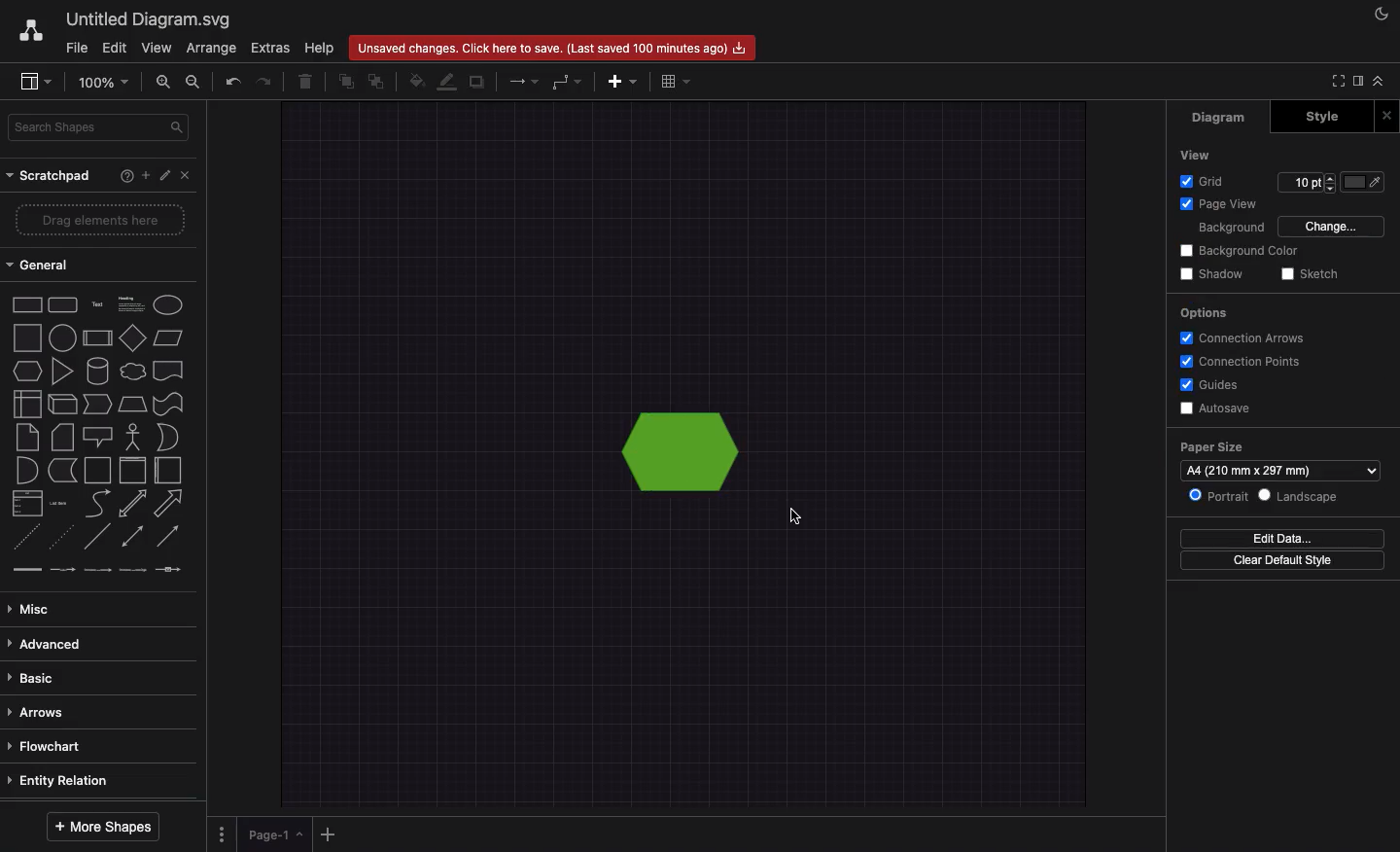 This screenshot has width=1400, height=852. Describe the element at coordinates (34, 677) in the screenshot. I see `Basic` at that location.